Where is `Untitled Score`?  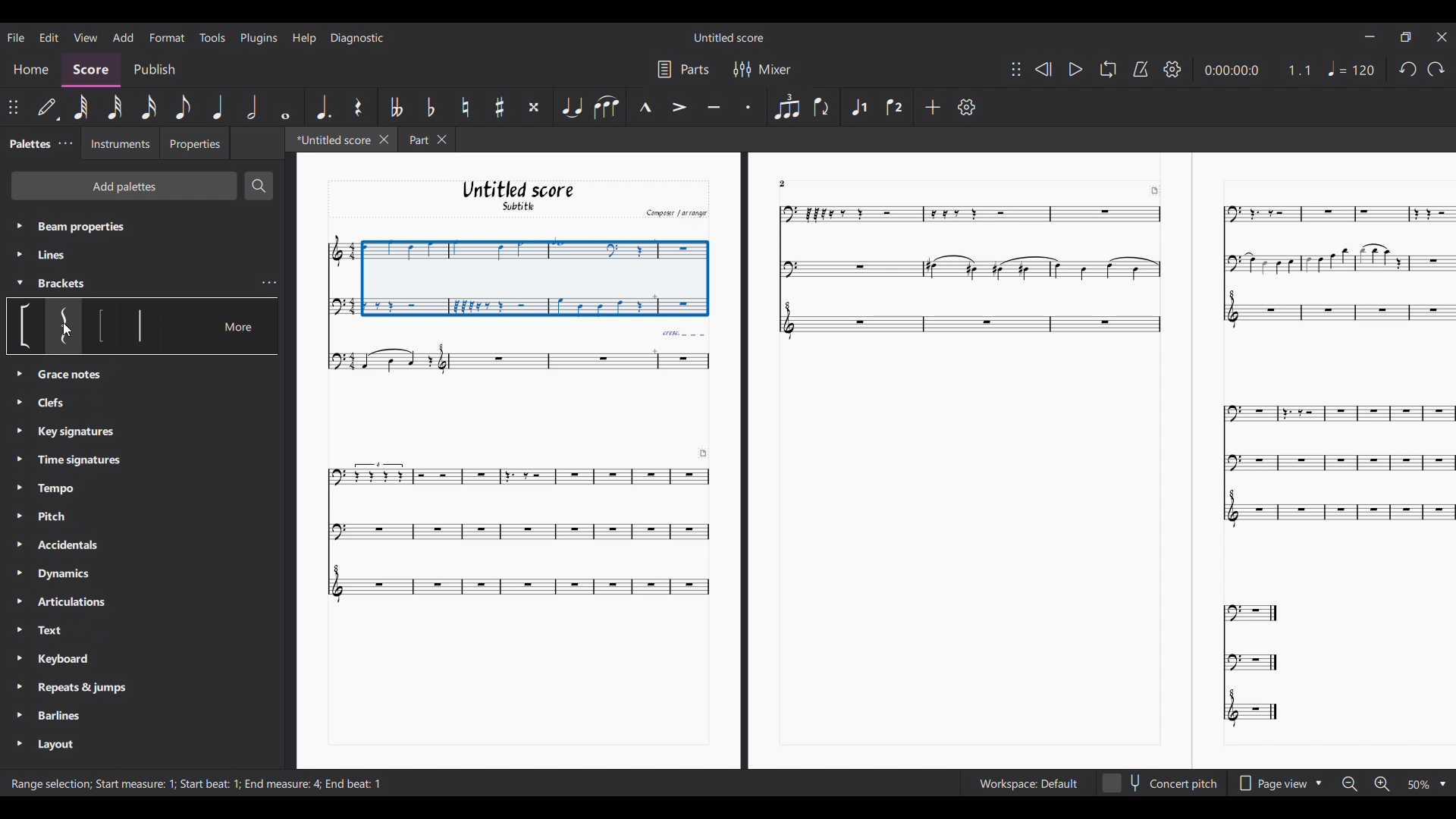
Untitled Score is located at coordinates (729, 37).